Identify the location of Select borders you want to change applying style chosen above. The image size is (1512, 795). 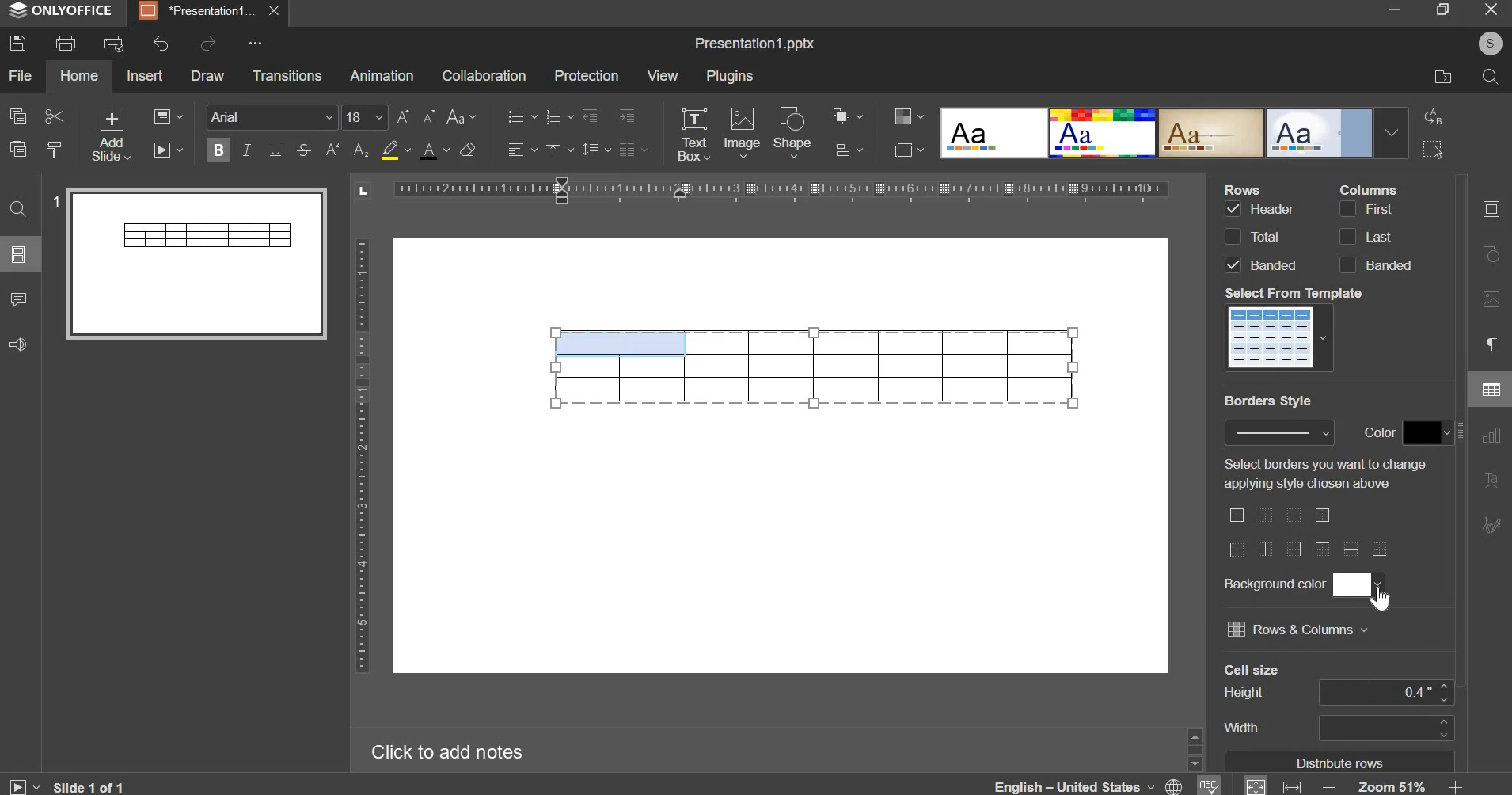
(1322, 474).